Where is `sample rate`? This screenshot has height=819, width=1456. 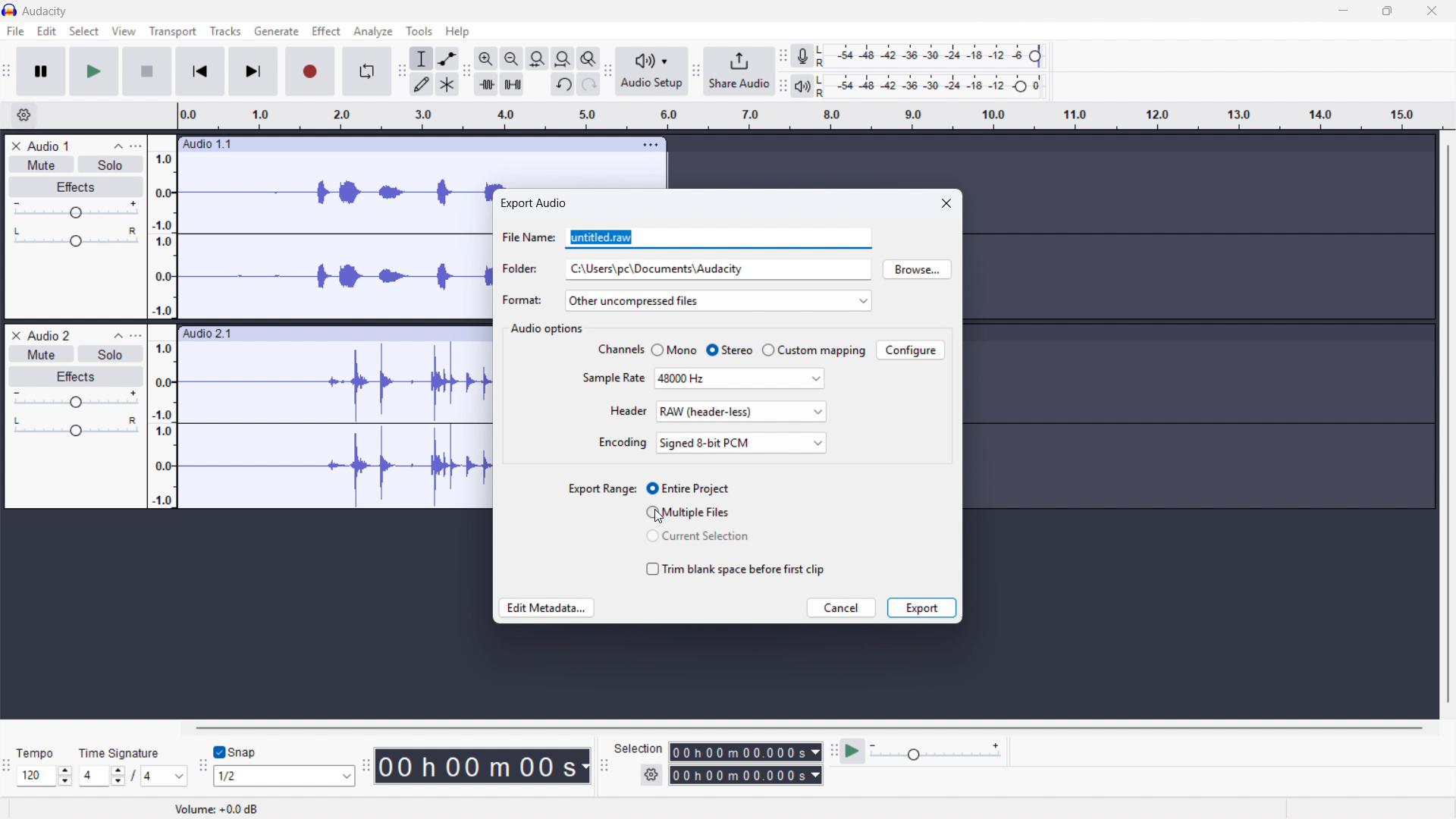 sample rate is located at coordinates (613, 377).